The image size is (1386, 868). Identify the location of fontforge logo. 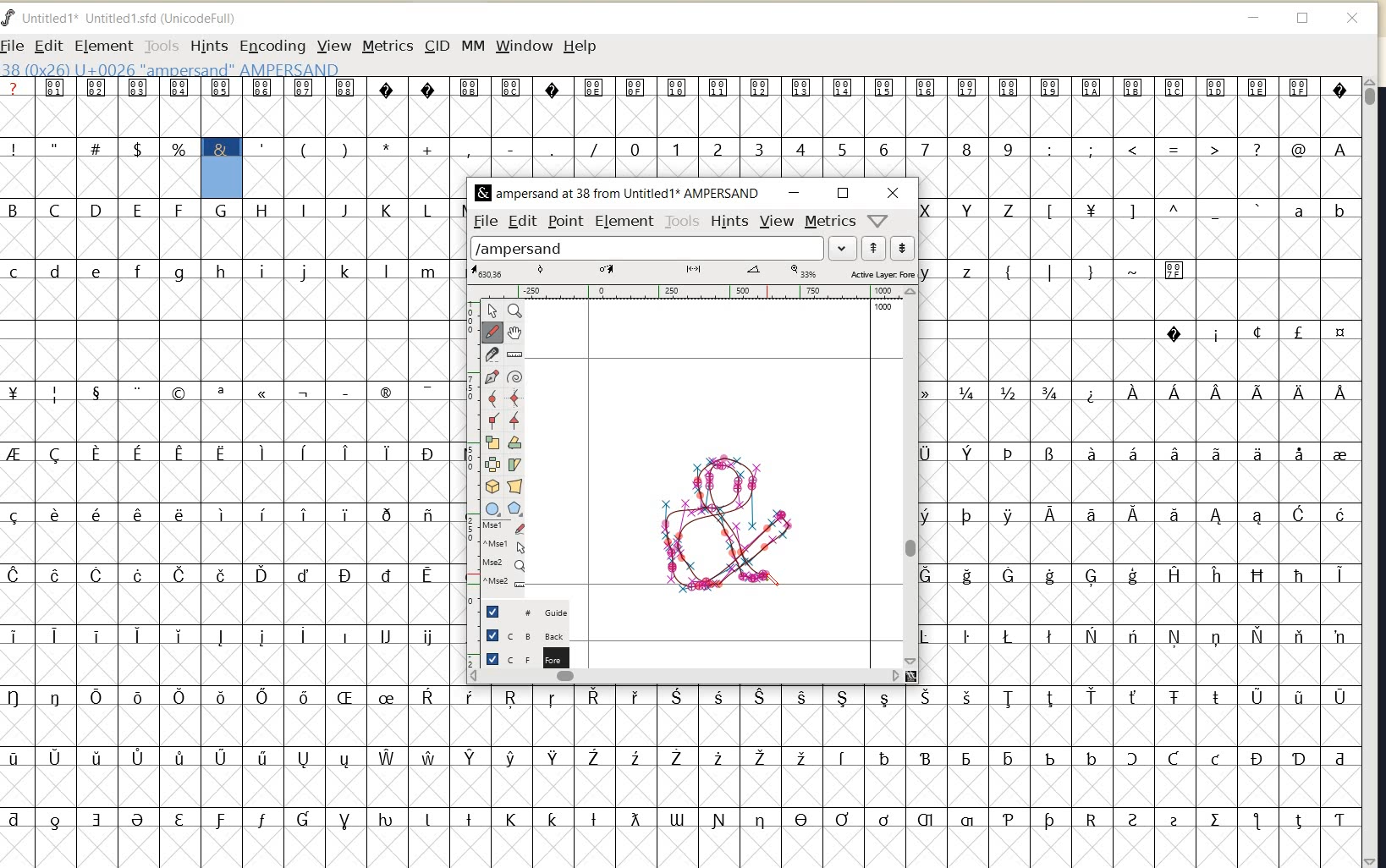
(8, 20).